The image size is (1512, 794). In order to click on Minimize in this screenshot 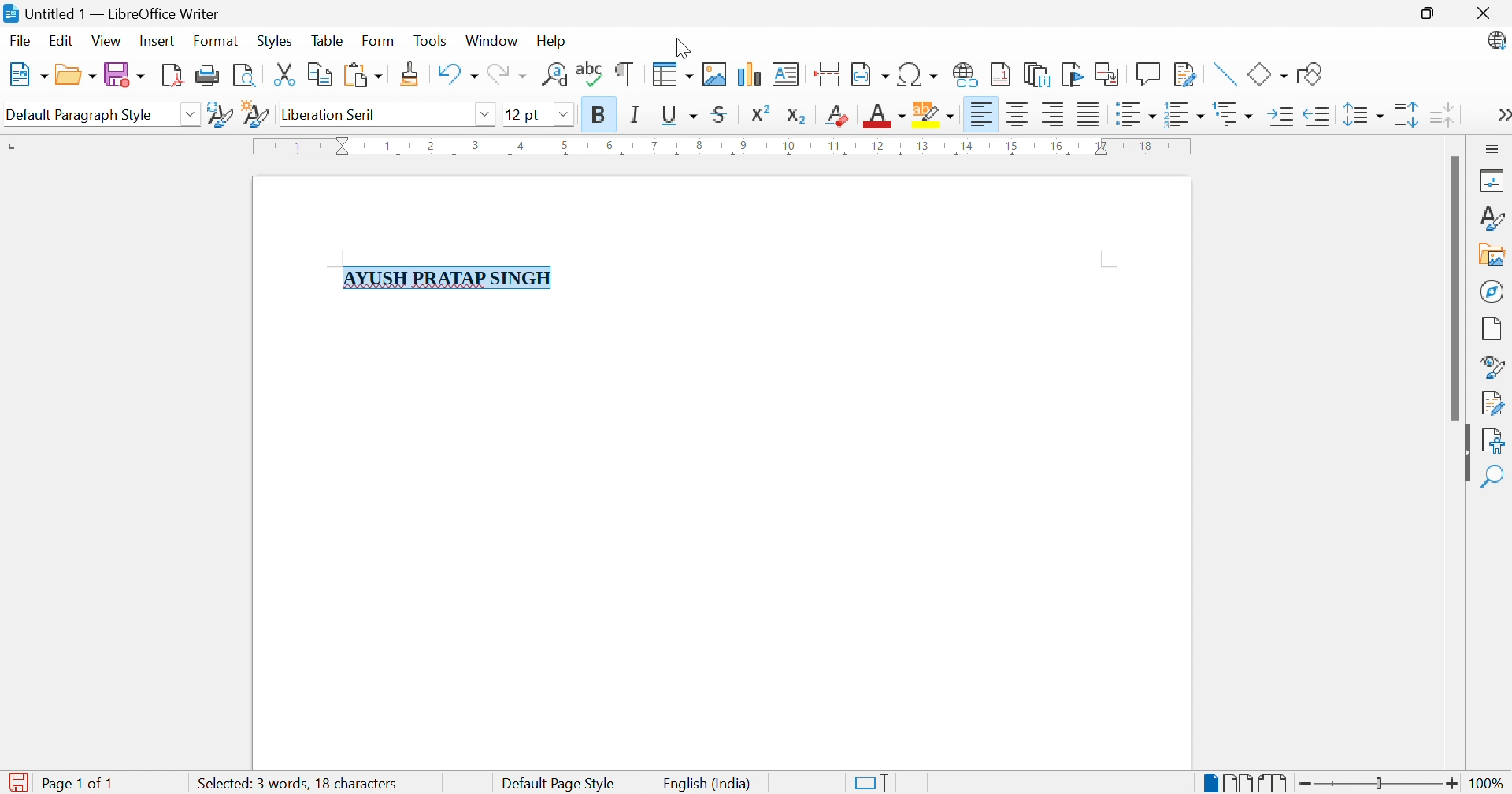, I will do `click(1372, 10)`.